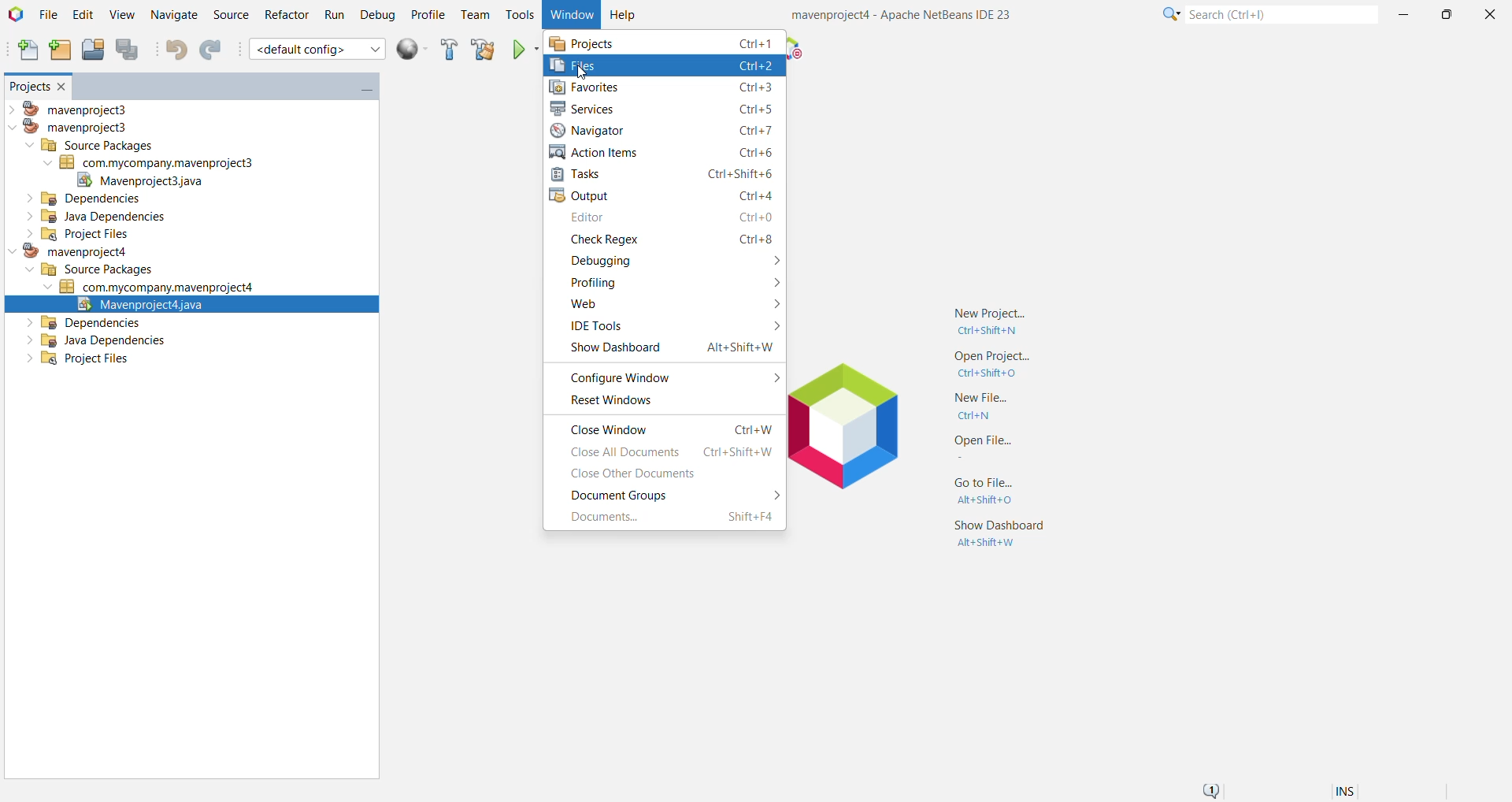  What do you see at coordinates (72, 362) in the screenshot?
I see `Project Files` at bounding box center [72, 362].